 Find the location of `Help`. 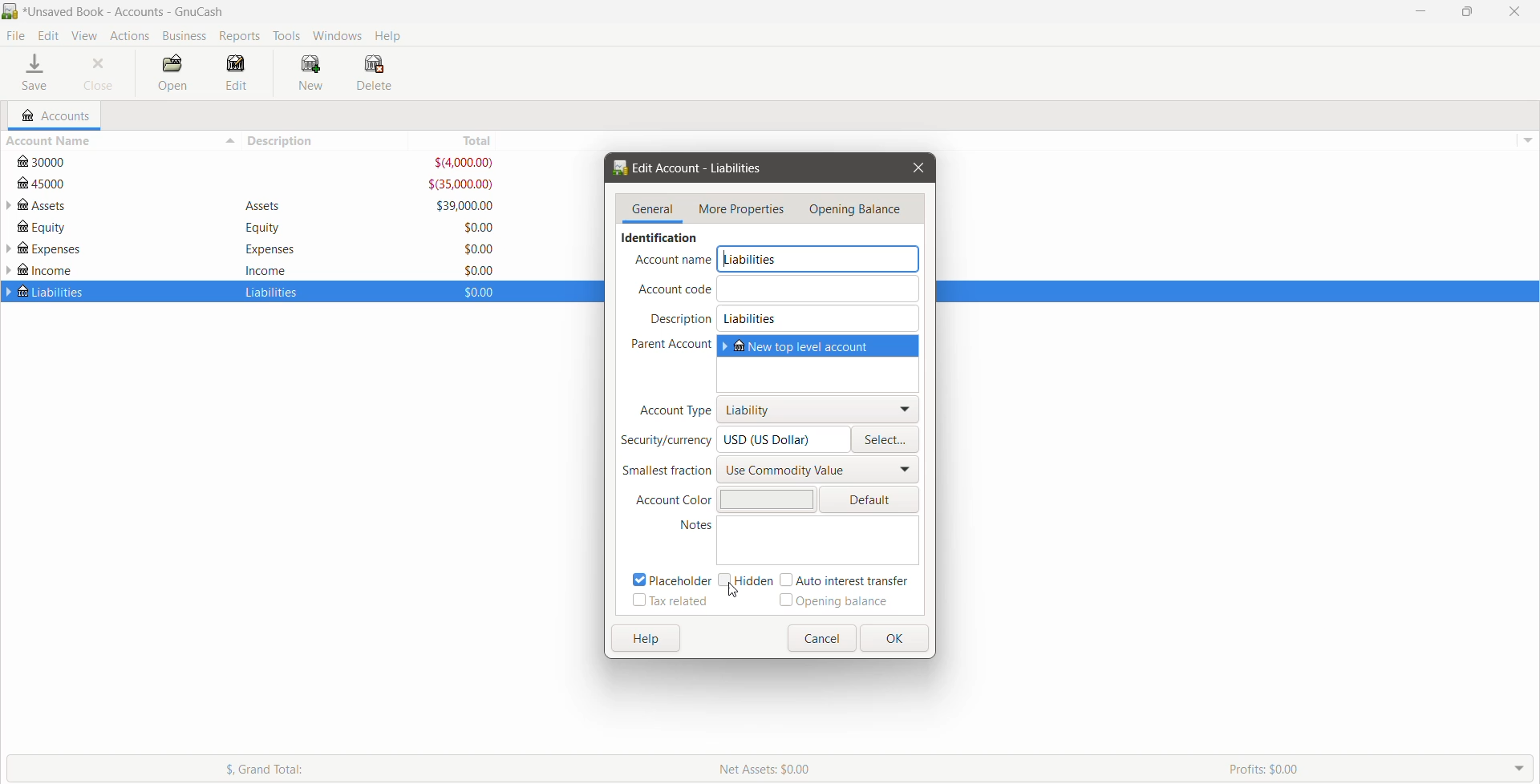

Help is located at coordinates (646, 640).